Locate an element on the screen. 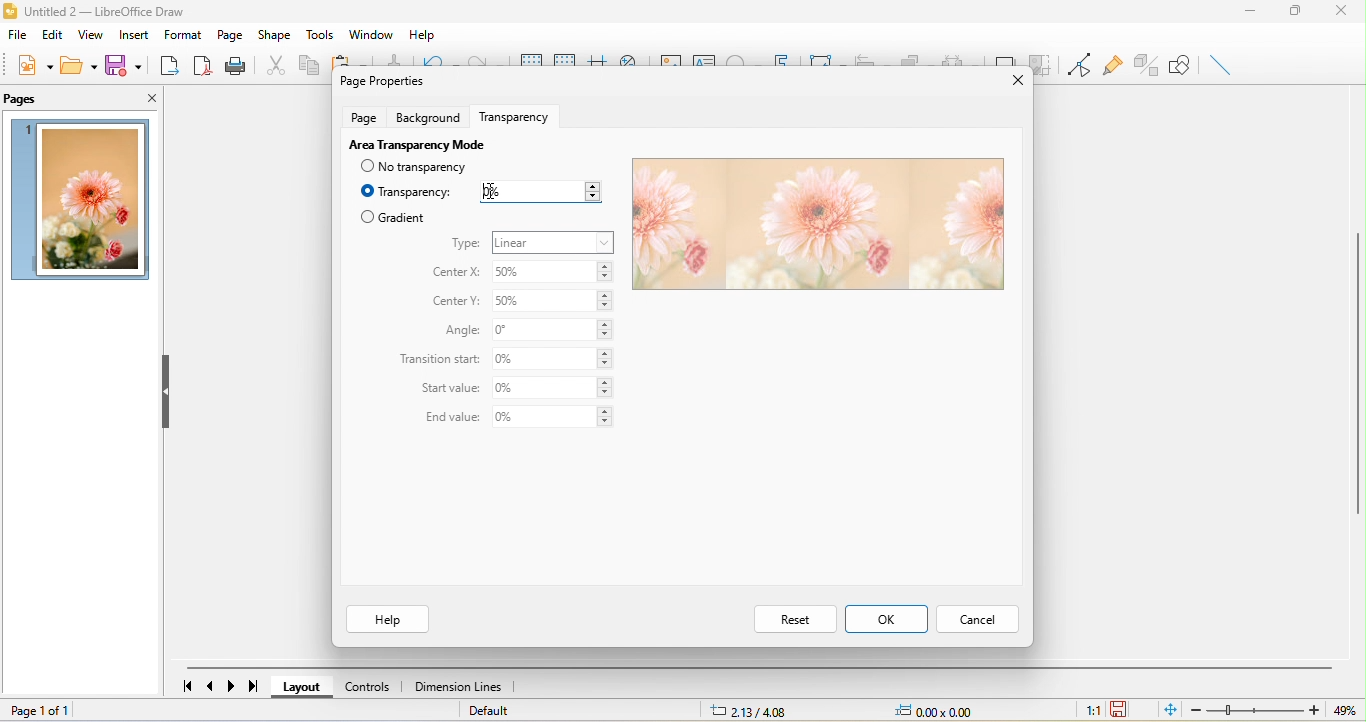 The height and width of the screenshot is (722, 1366). previous page is located at coordinates (213, 684).